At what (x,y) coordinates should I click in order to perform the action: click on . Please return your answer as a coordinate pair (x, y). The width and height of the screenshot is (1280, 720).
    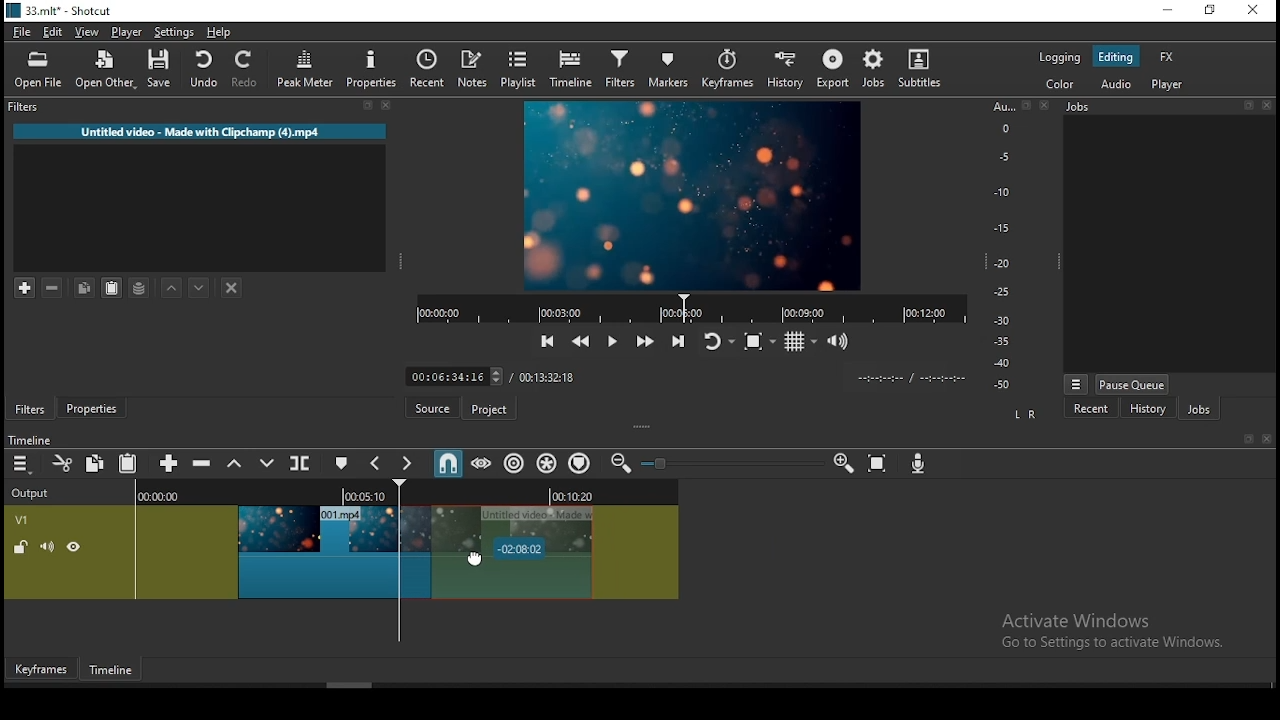
    Looking at the image, I should click on (662, 464).